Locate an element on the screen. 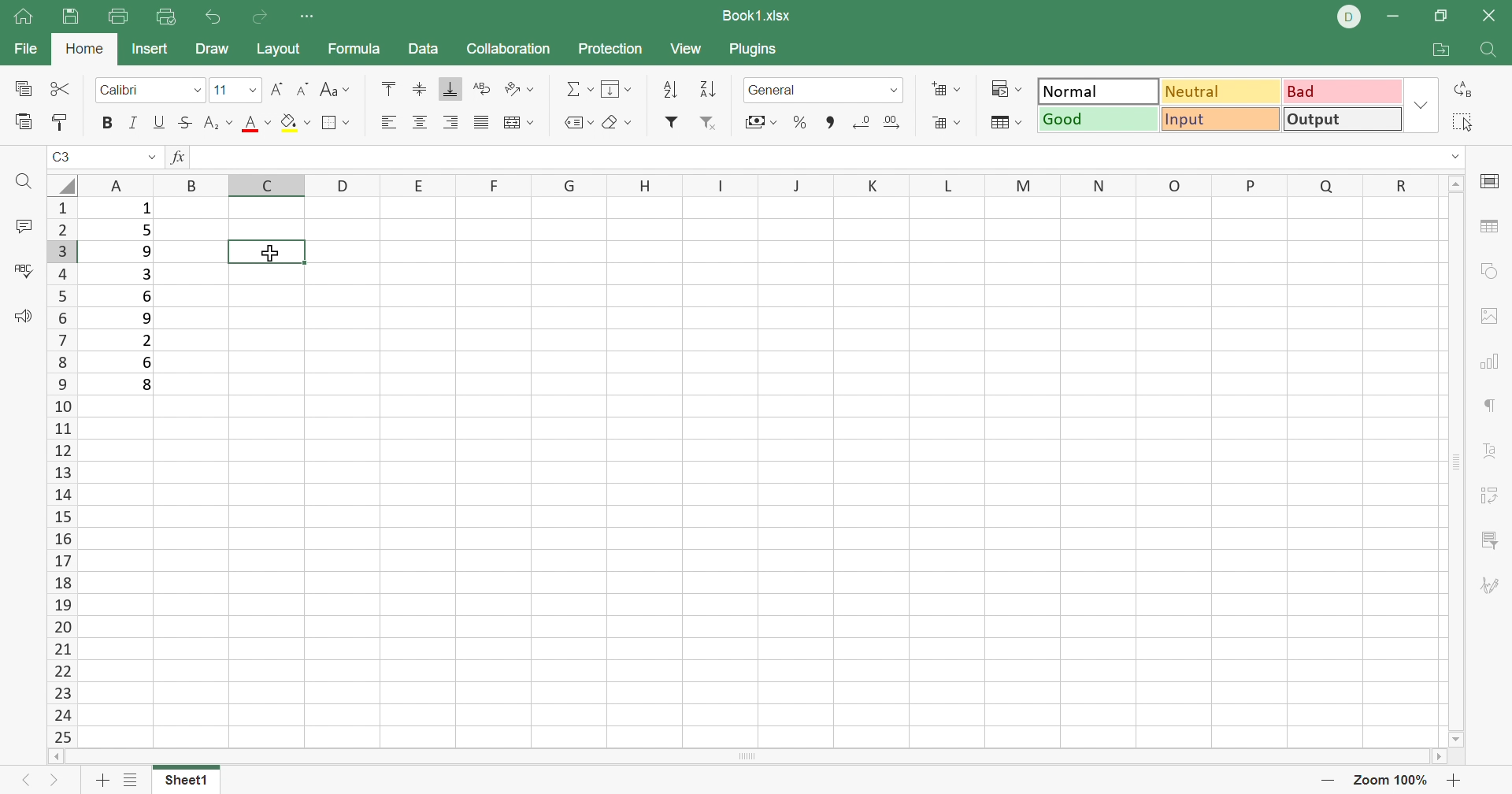 Image resolution: width=1512 pixels, height=794 pixels. Increase decimal is located at coordinates (891, 122).